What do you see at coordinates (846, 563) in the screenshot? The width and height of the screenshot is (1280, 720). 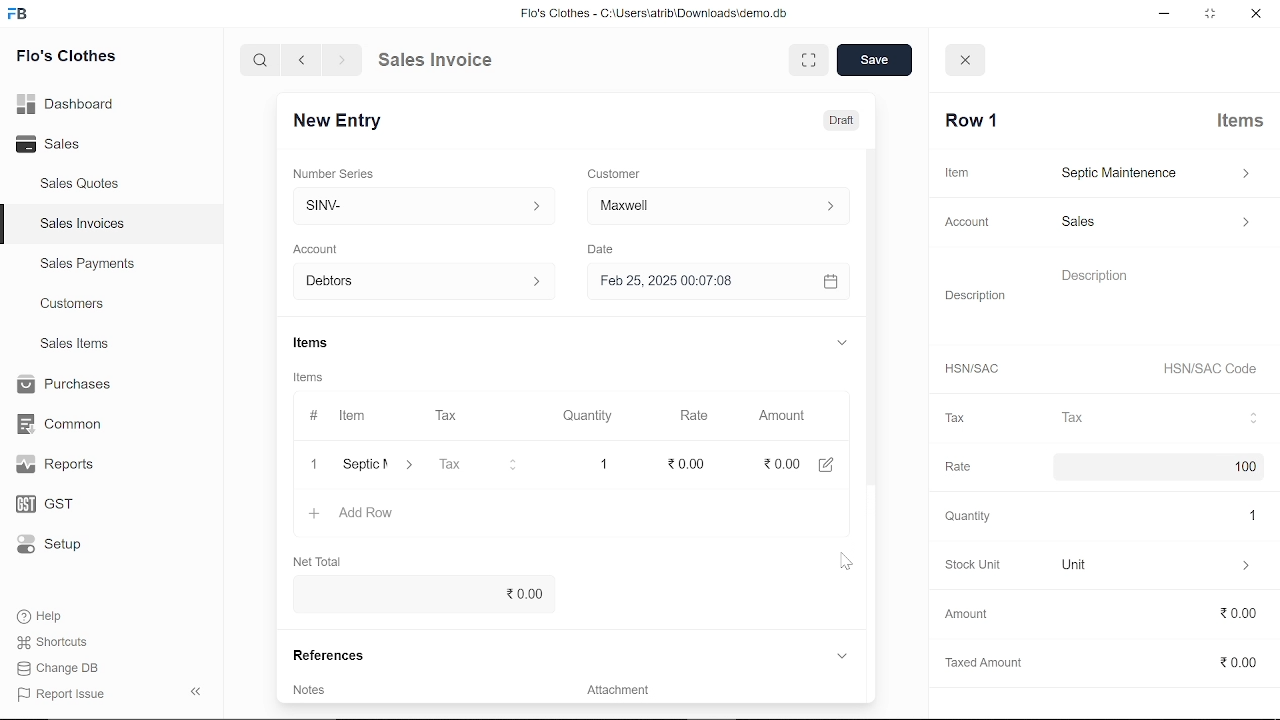 I see `cursor` at bounding box center [846, 563].